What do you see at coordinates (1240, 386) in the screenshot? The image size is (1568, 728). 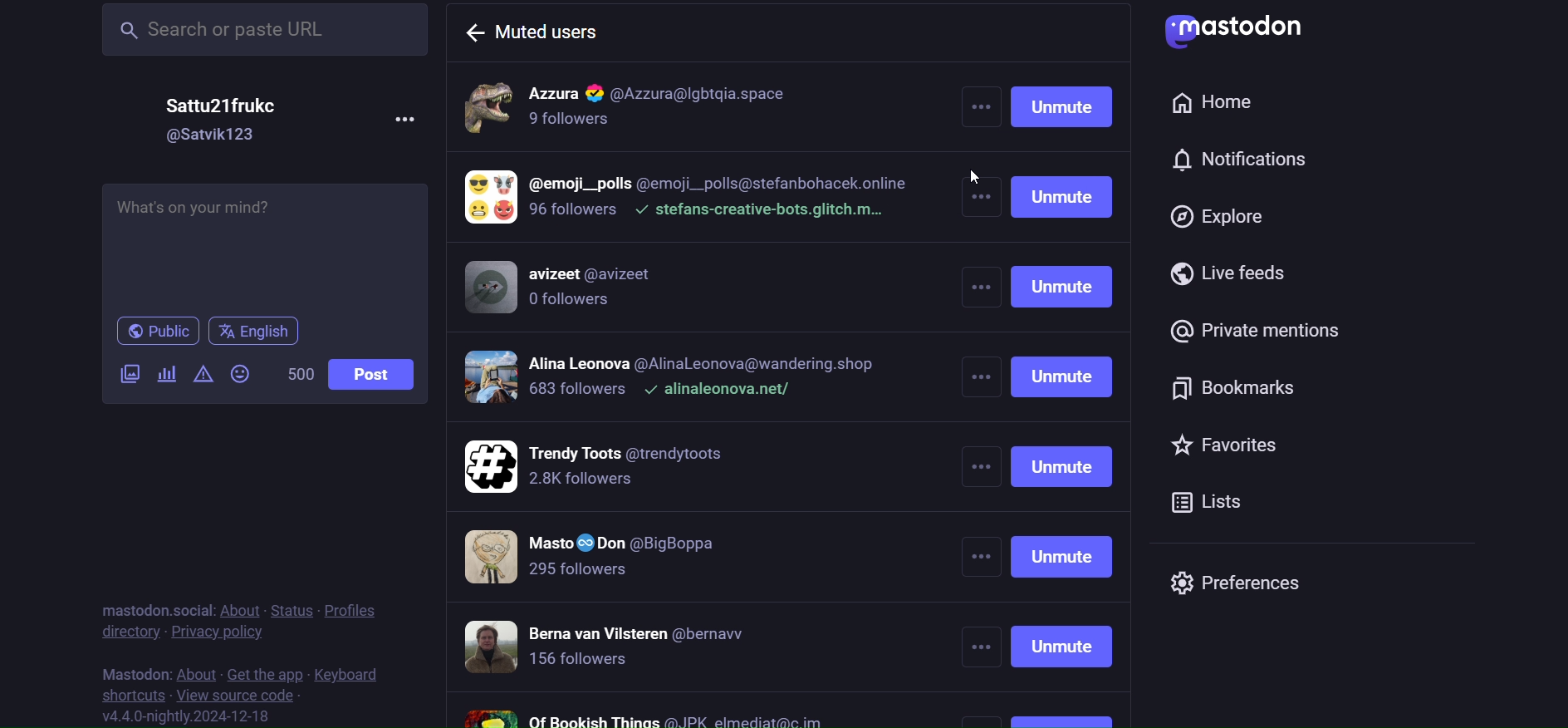 I see `bookmark` at bounding box center [1240, 386].